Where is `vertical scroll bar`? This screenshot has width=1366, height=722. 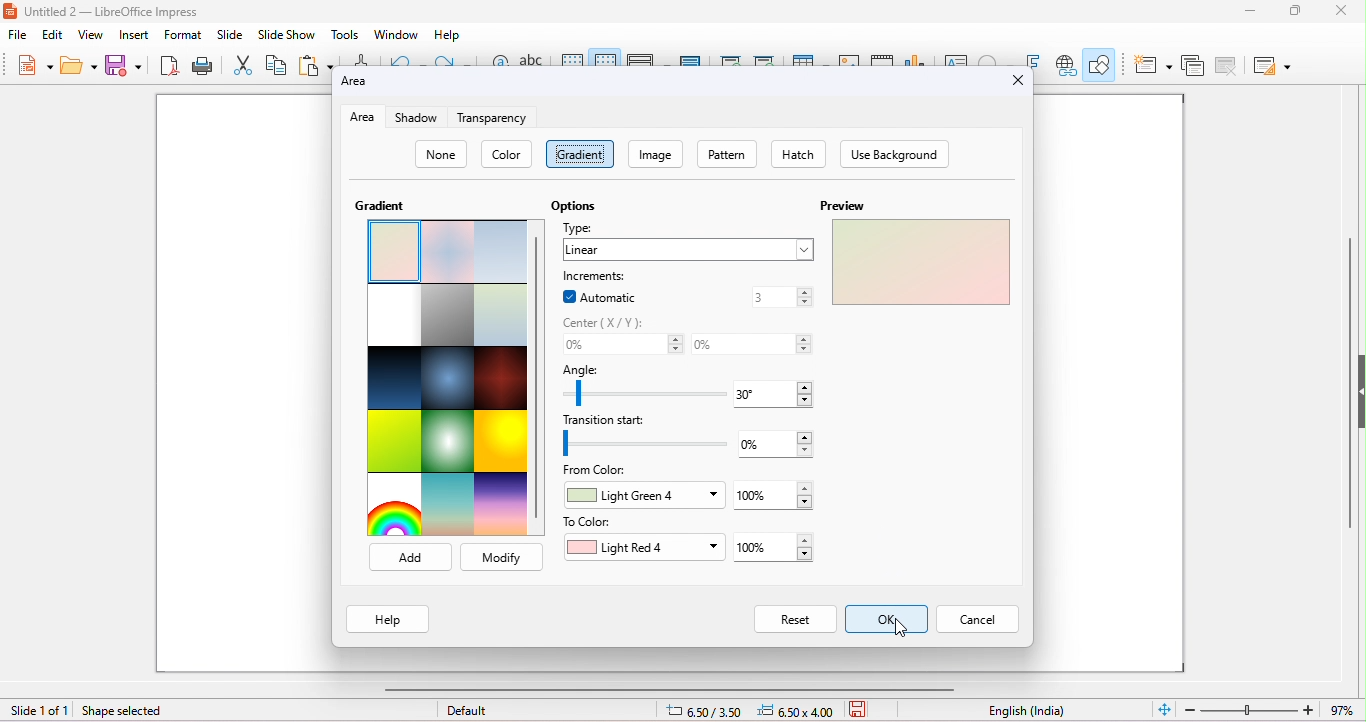 vertical scroll bar is located at coordinates (1347, 398).